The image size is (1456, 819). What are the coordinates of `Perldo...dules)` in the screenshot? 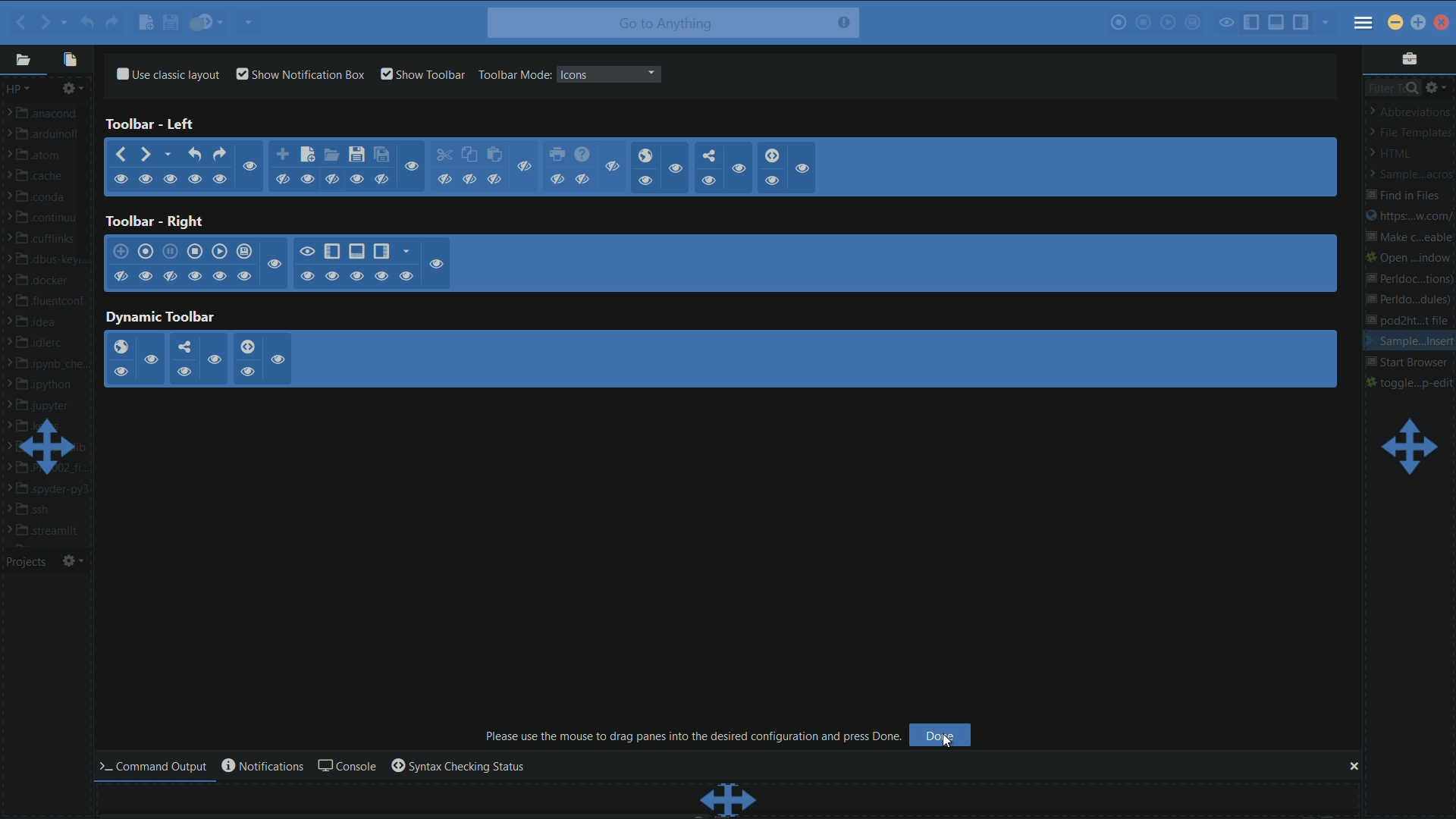 It's located at (1410, 301).